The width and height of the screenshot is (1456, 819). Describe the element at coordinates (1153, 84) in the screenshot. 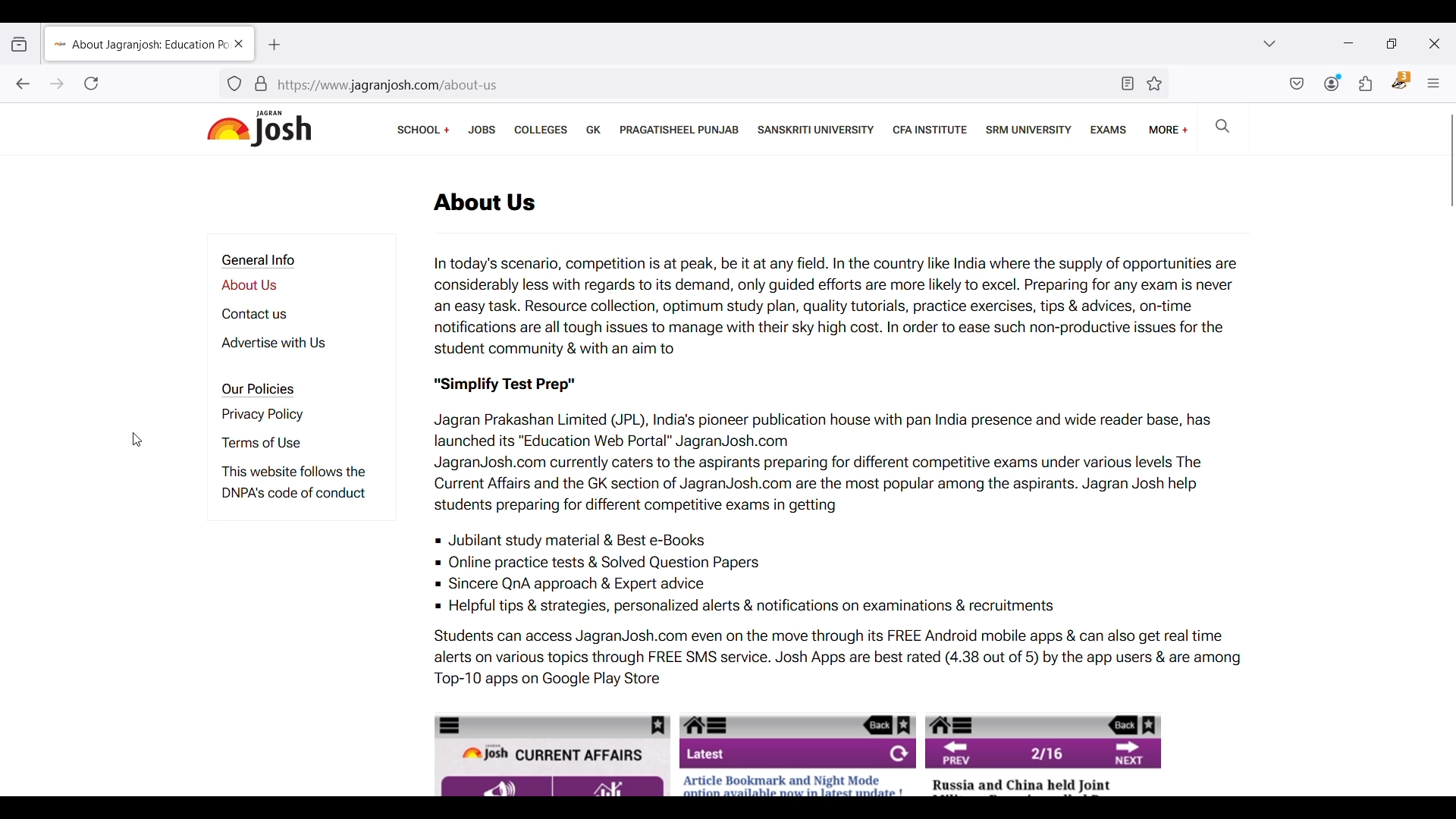

I see `Bookmark this page` at that location.